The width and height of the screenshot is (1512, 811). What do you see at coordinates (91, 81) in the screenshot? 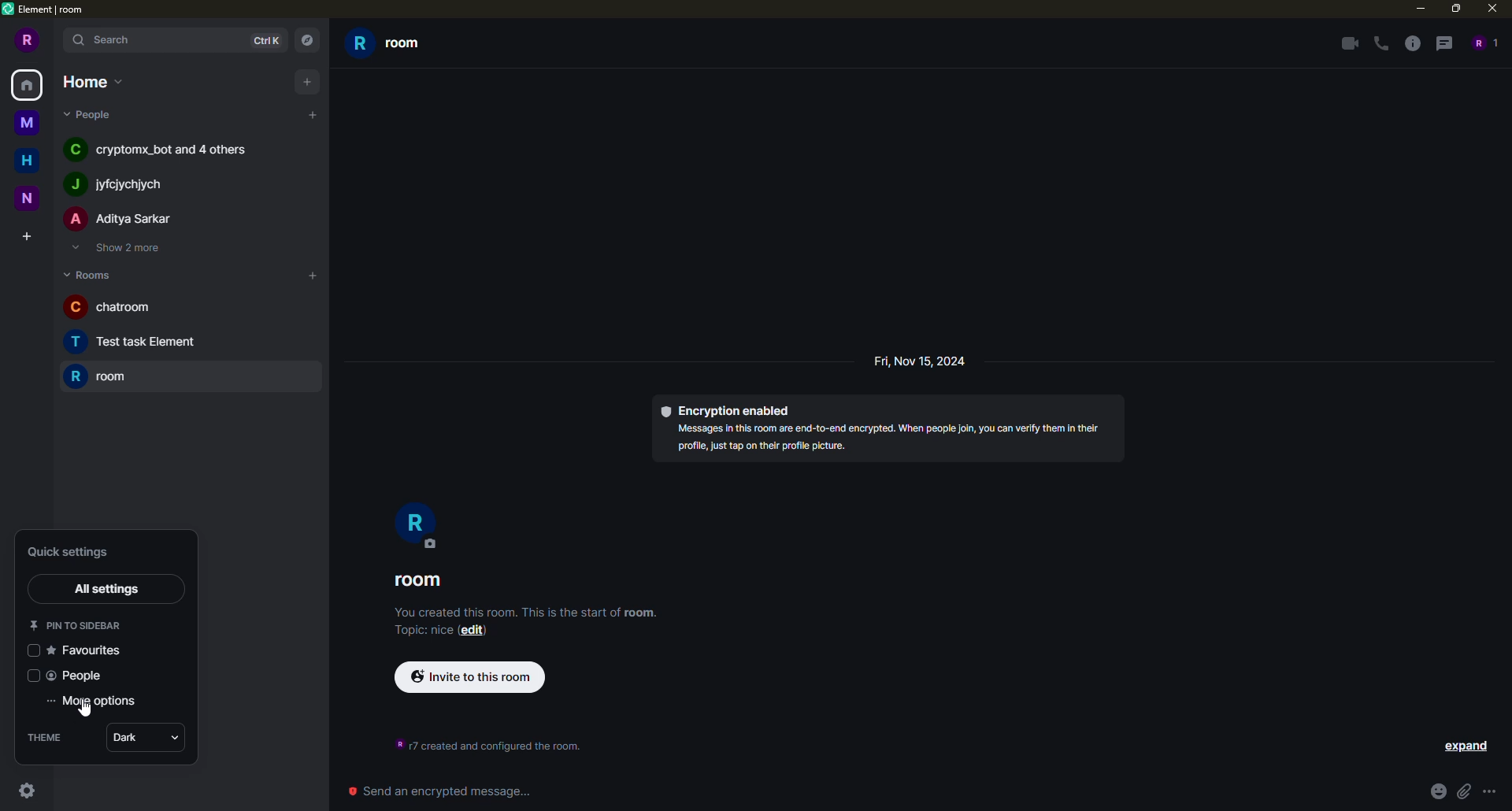
I see `home` at bounding box center [91, 81].